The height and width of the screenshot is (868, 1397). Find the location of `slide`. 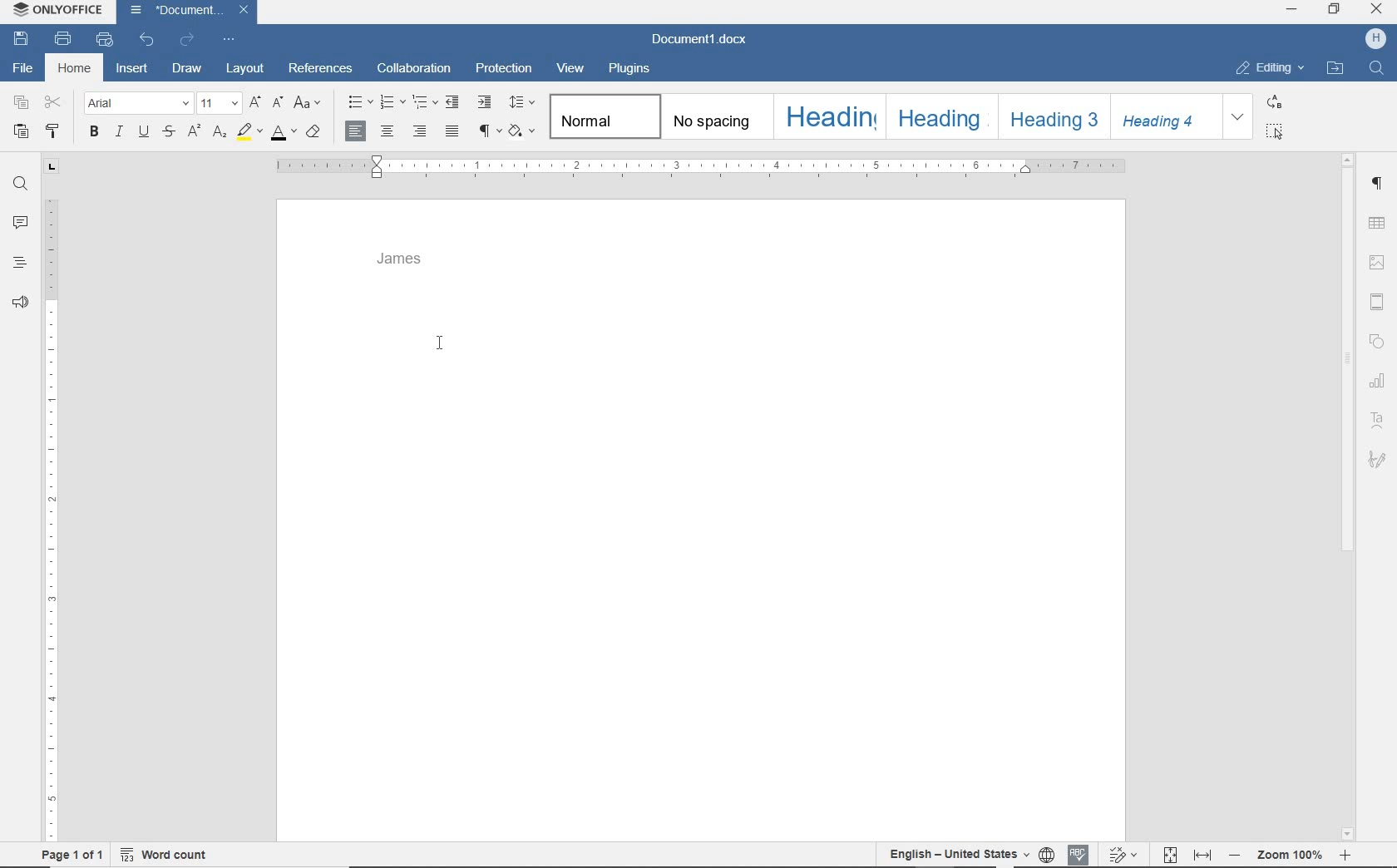

slide is located at coordinates (1380, 303).